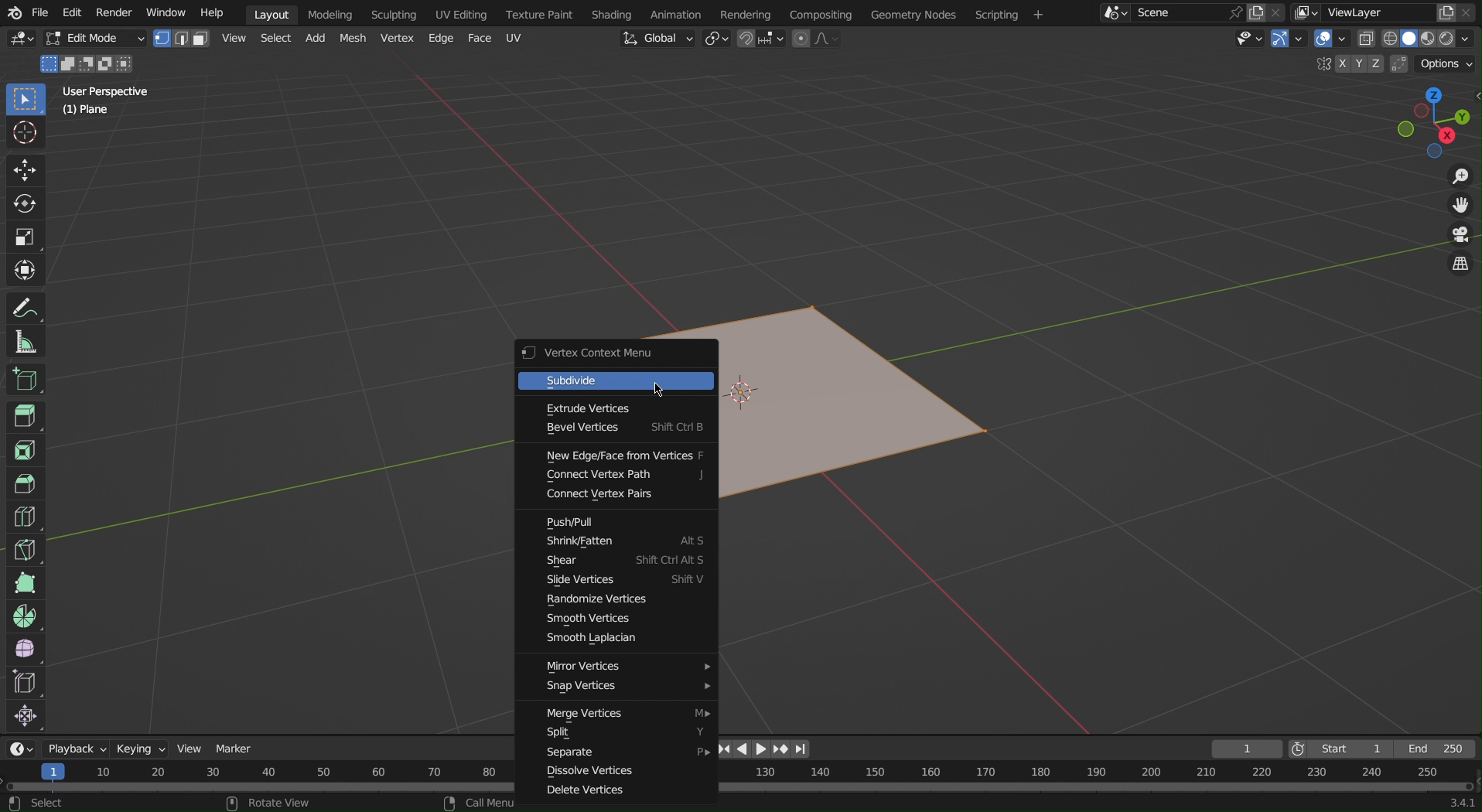  What do you see at coordinates (1330, 42) in the screenshot?
I see `Show Overlays` at bounding box center [1330, 42].